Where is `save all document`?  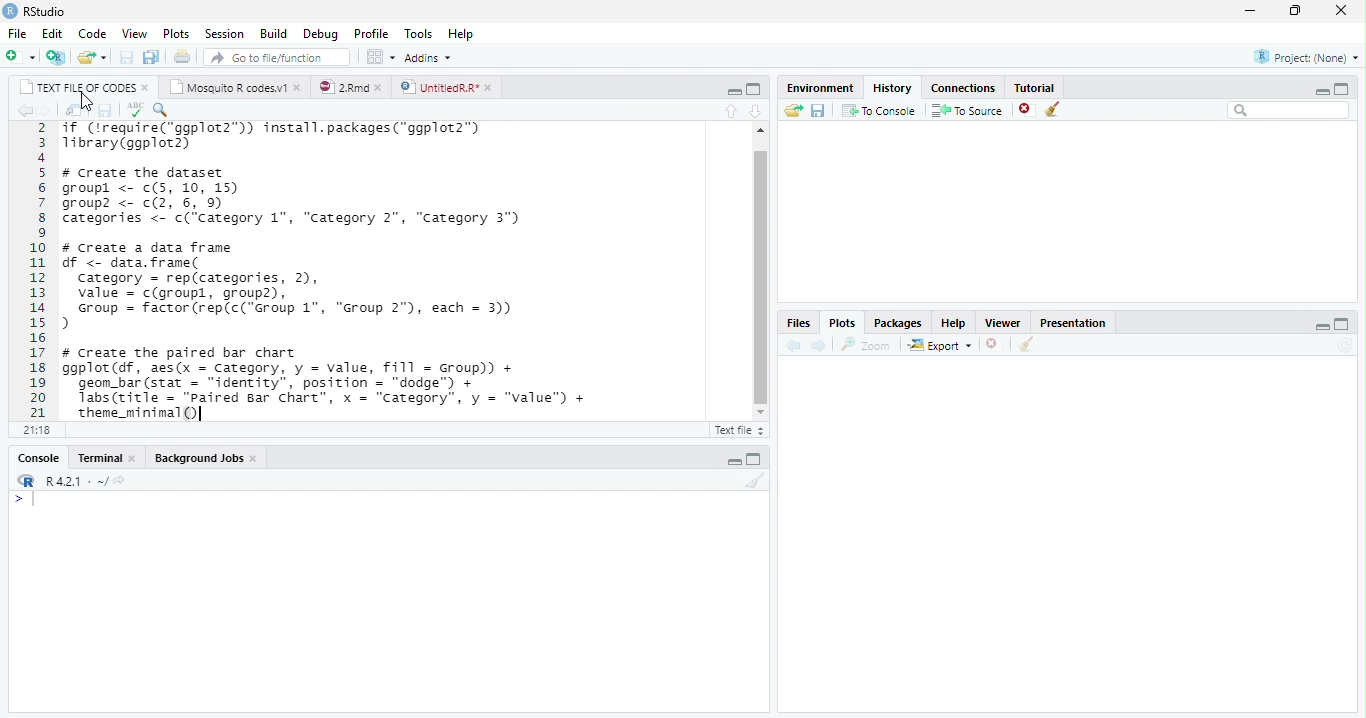
save all document is located at coordinates (153, 56).